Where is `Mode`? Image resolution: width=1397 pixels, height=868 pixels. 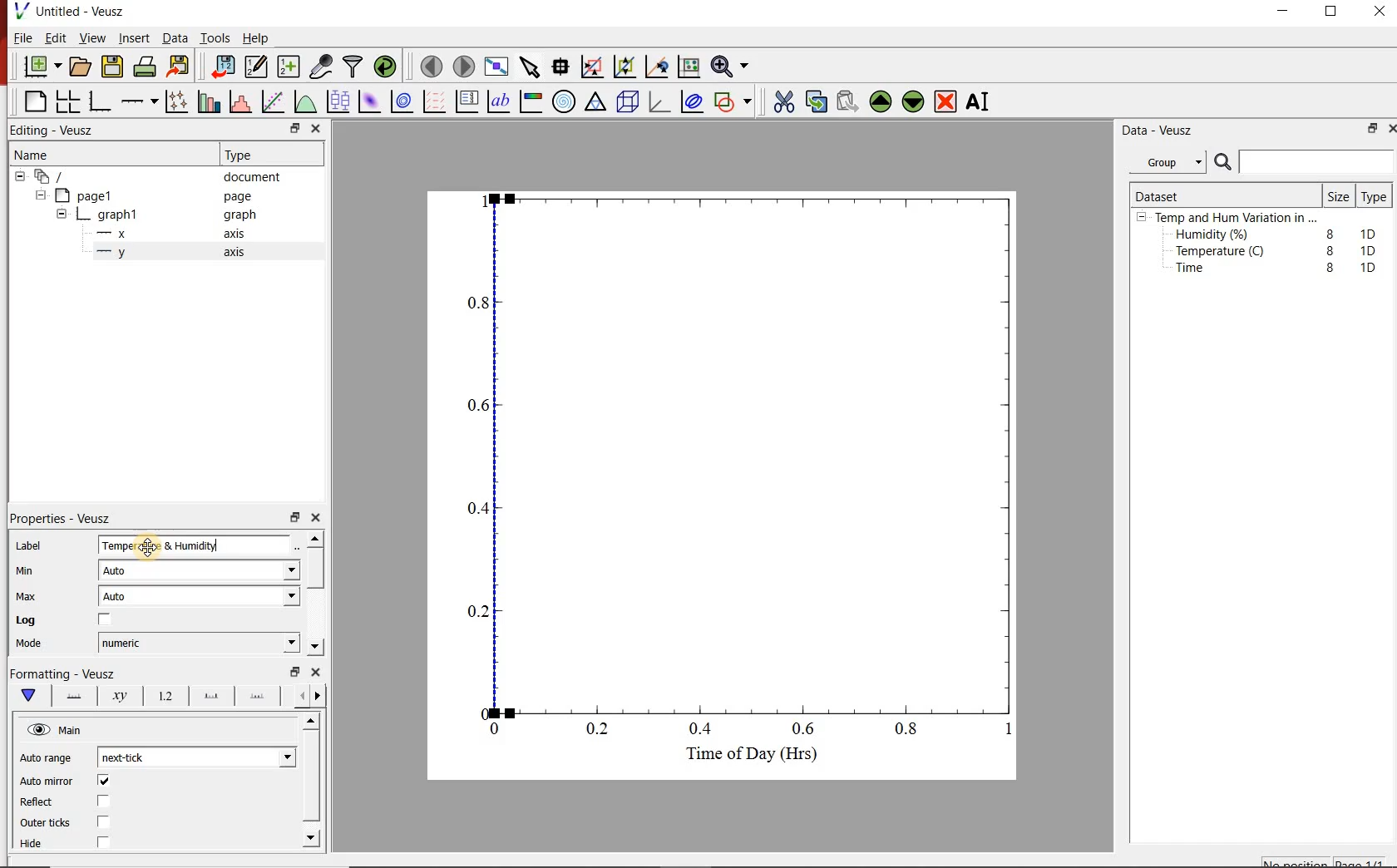 Mode is located at coordinates (42, 645).